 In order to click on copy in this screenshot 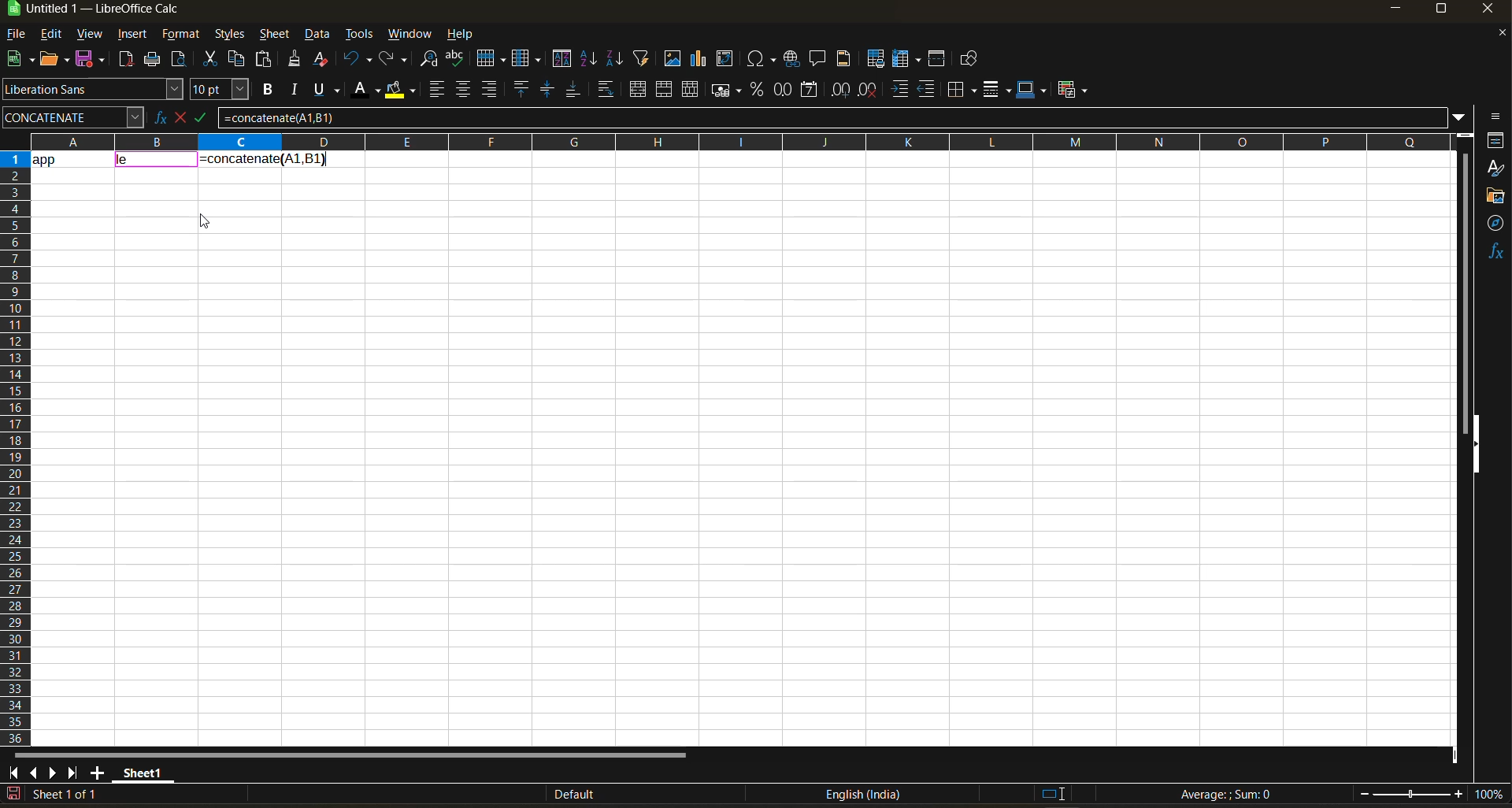, I will do `click(239, 59)`.